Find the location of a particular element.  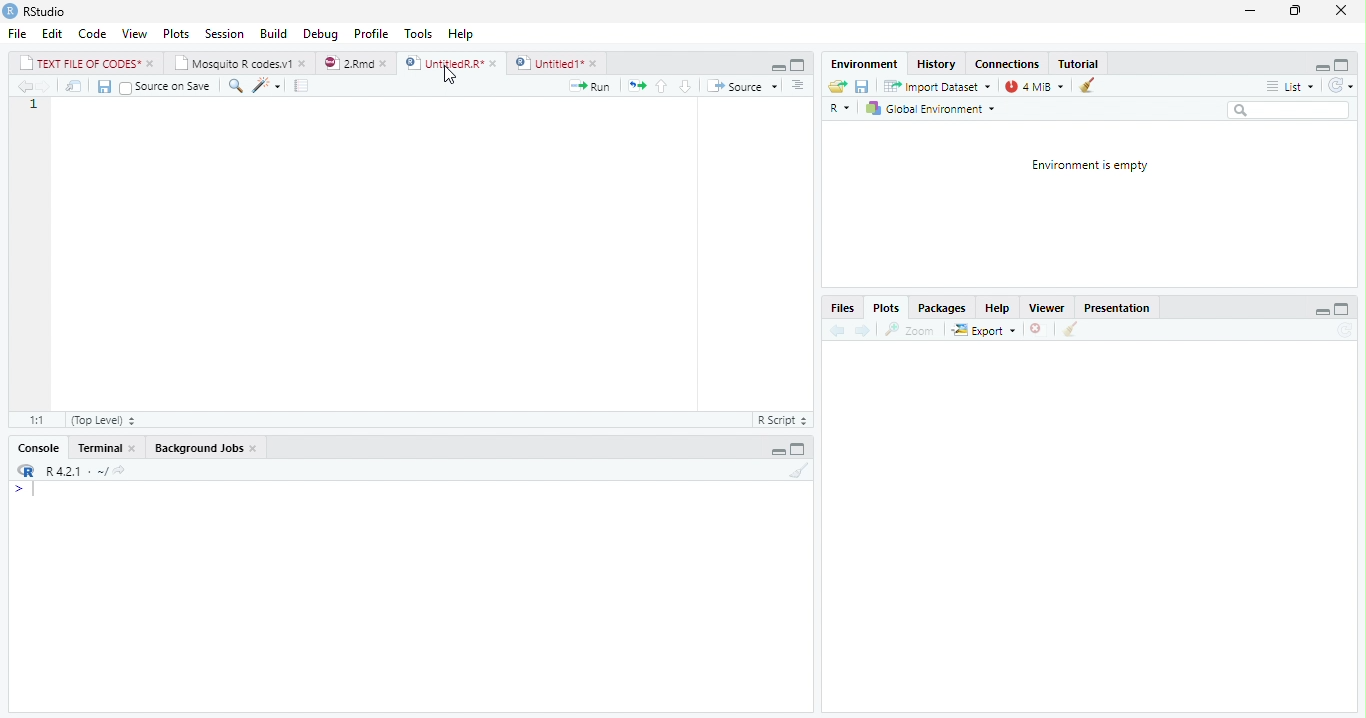

File is located at coordinates (15, 35).